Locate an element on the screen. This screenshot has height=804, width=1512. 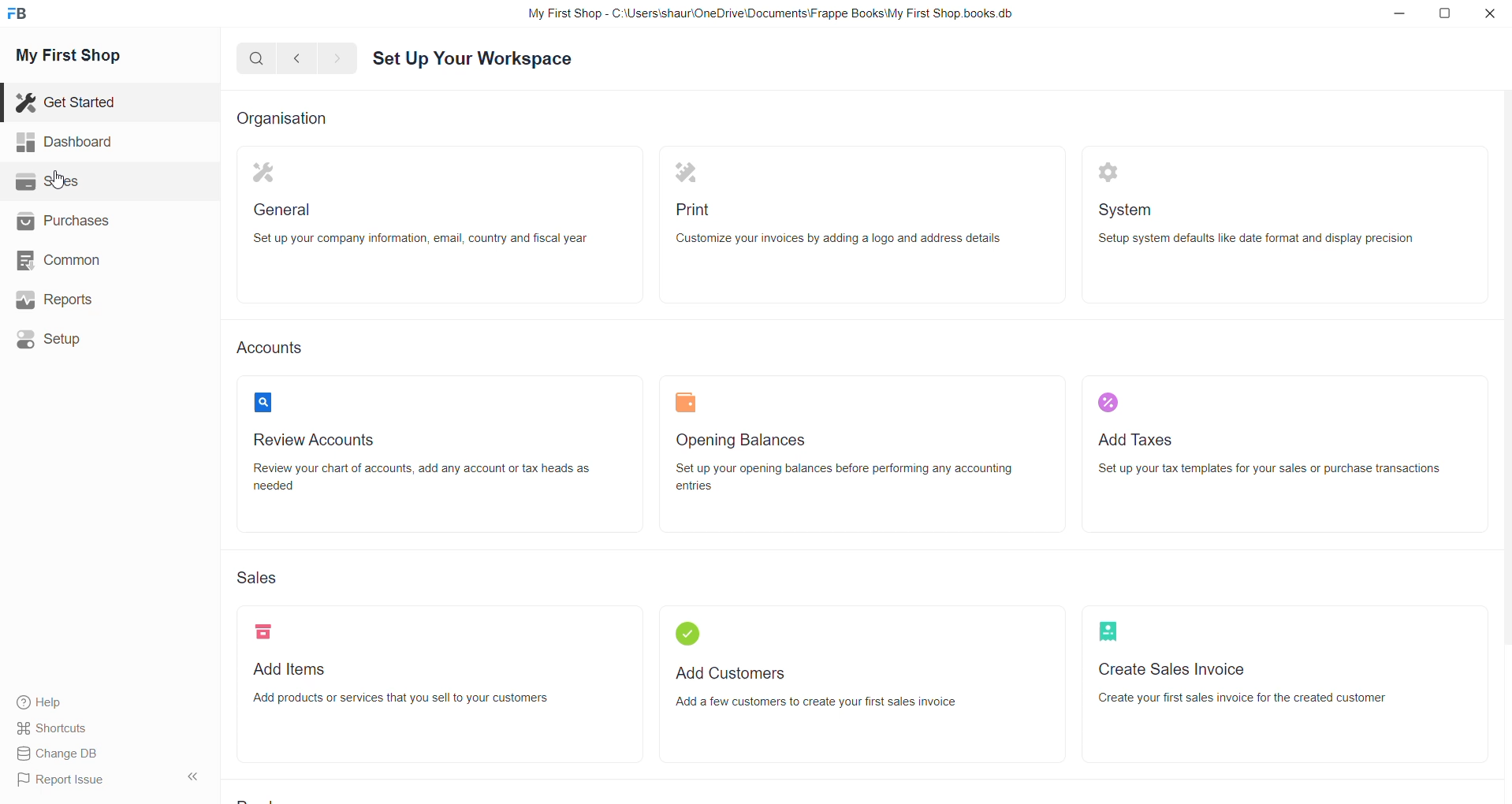
Organisation is located at coordinates (294, 120).